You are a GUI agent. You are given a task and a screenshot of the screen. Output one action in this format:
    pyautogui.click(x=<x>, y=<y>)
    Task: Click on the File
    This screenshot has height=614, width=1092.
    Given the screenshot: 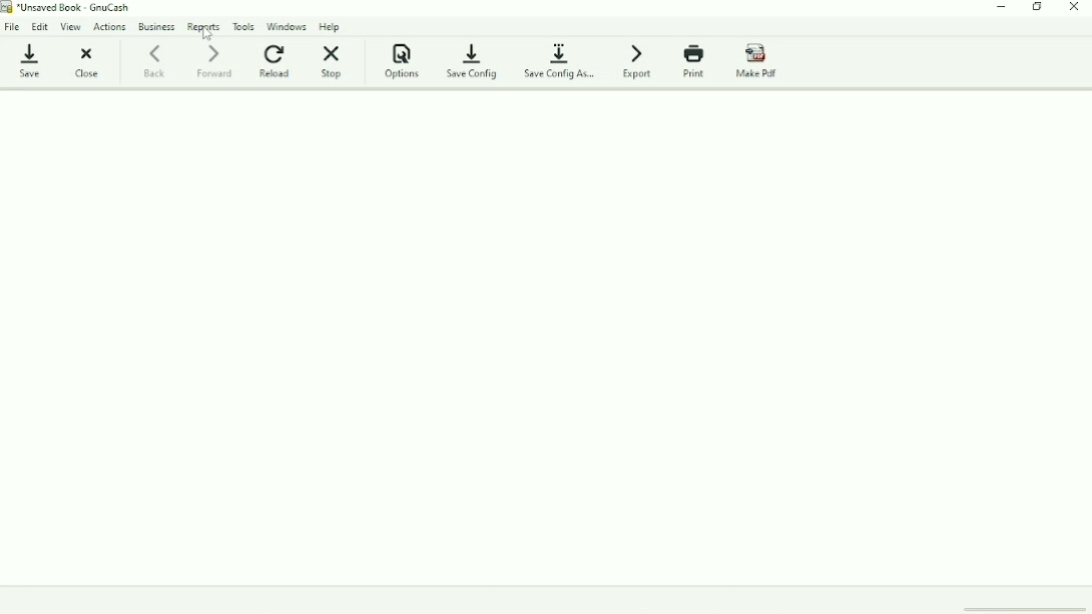 What is the action you would take?
    pyautogui.click(x=13, y=25)
    